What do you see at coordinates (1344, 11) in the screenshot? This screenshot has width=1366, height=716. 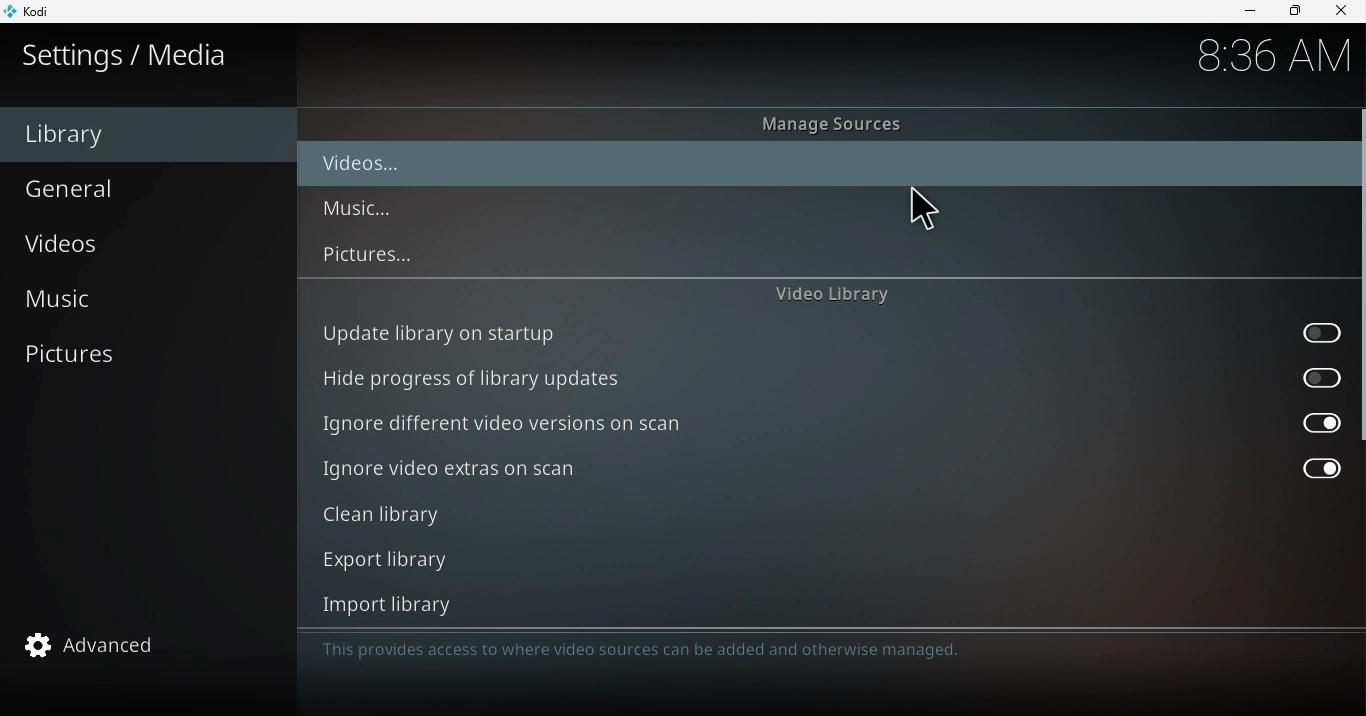 I see `close` at bounding box center [1344, 11].